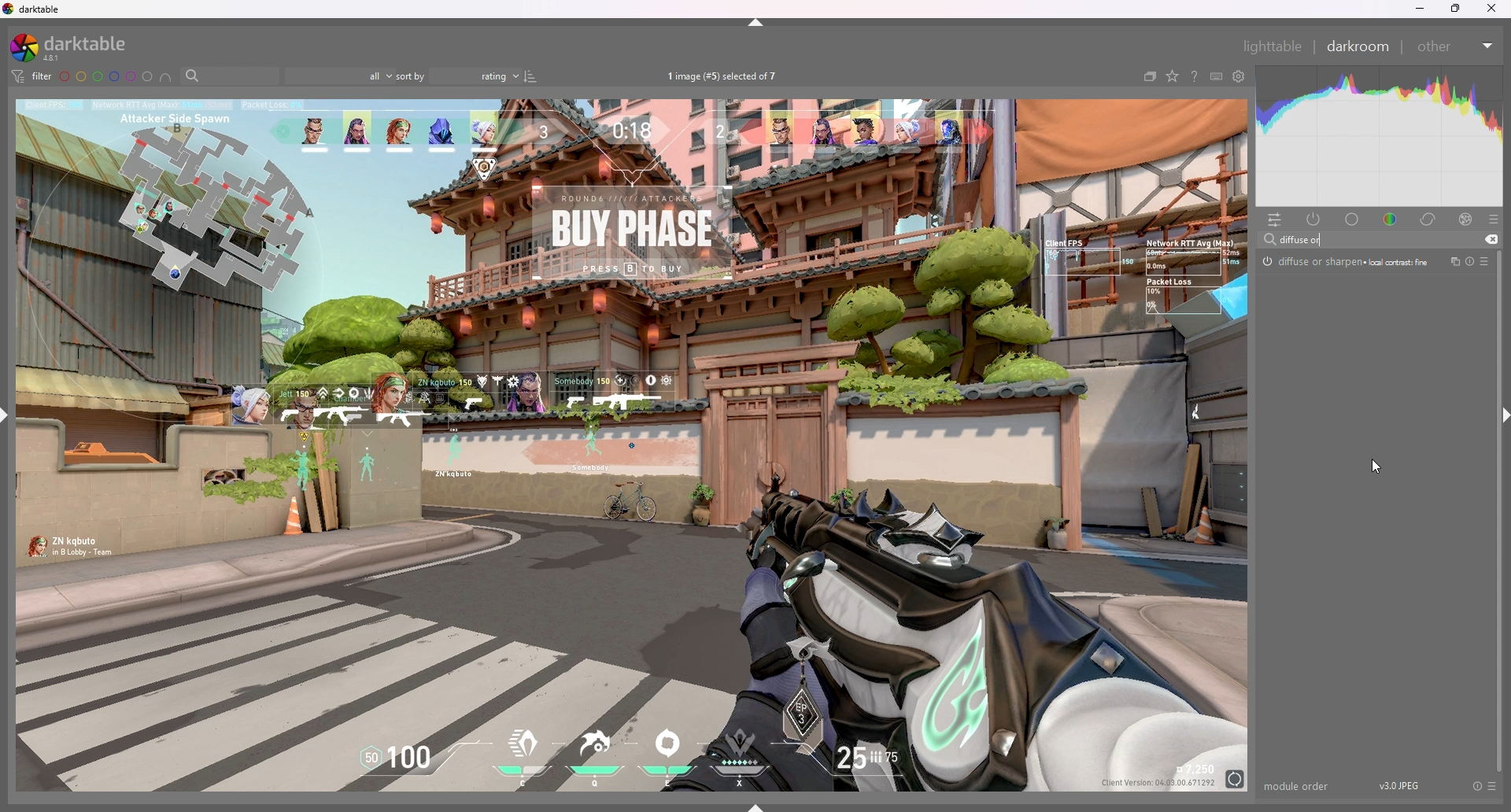  What do you see at coordinates (757, 23) in the screenshot?
I see `hide` at bounding box center [757, 23].